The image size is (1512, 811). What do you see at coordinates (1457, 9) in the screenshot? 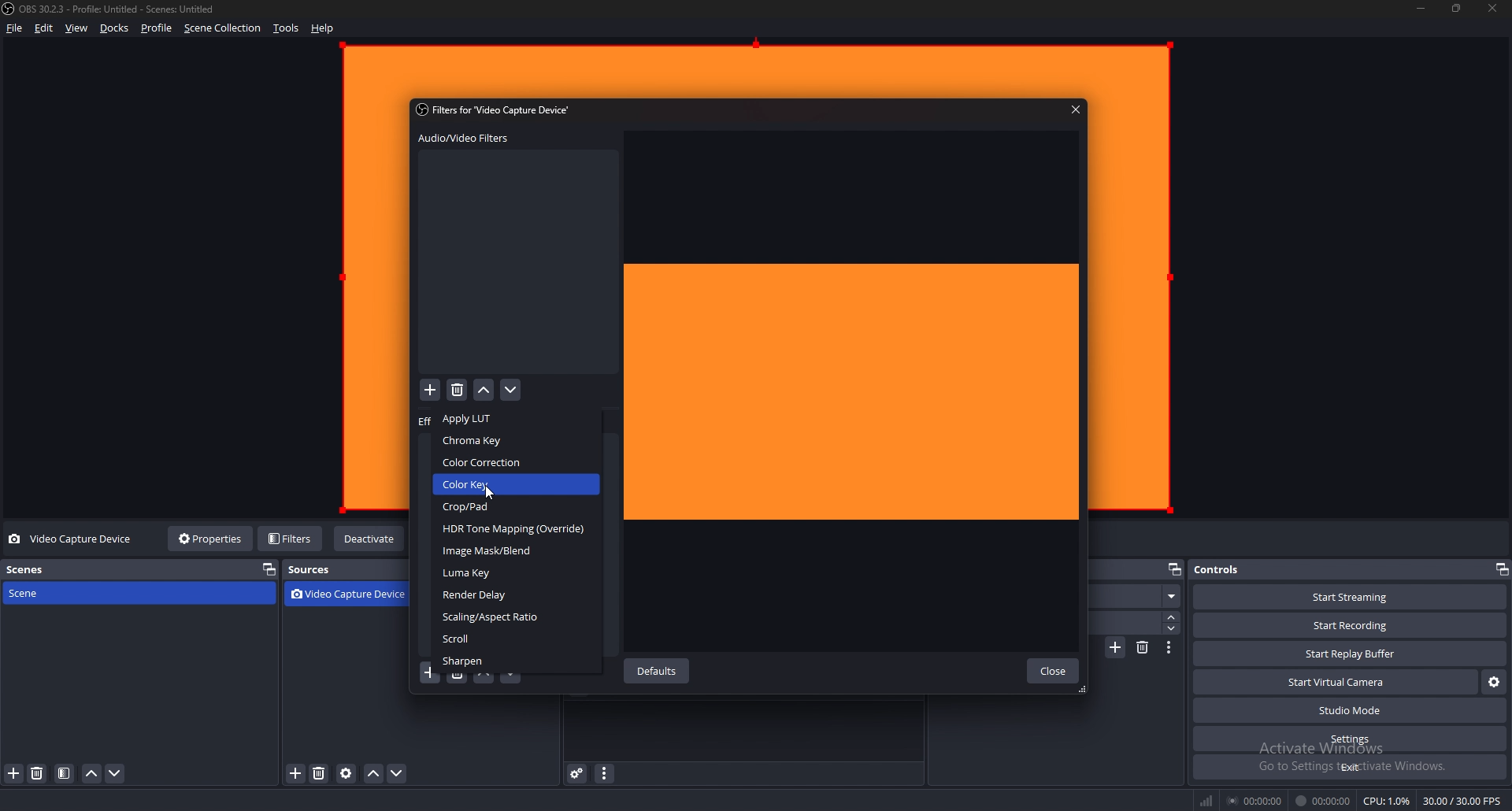
I see `resize` at bounding box center [1457, 9].